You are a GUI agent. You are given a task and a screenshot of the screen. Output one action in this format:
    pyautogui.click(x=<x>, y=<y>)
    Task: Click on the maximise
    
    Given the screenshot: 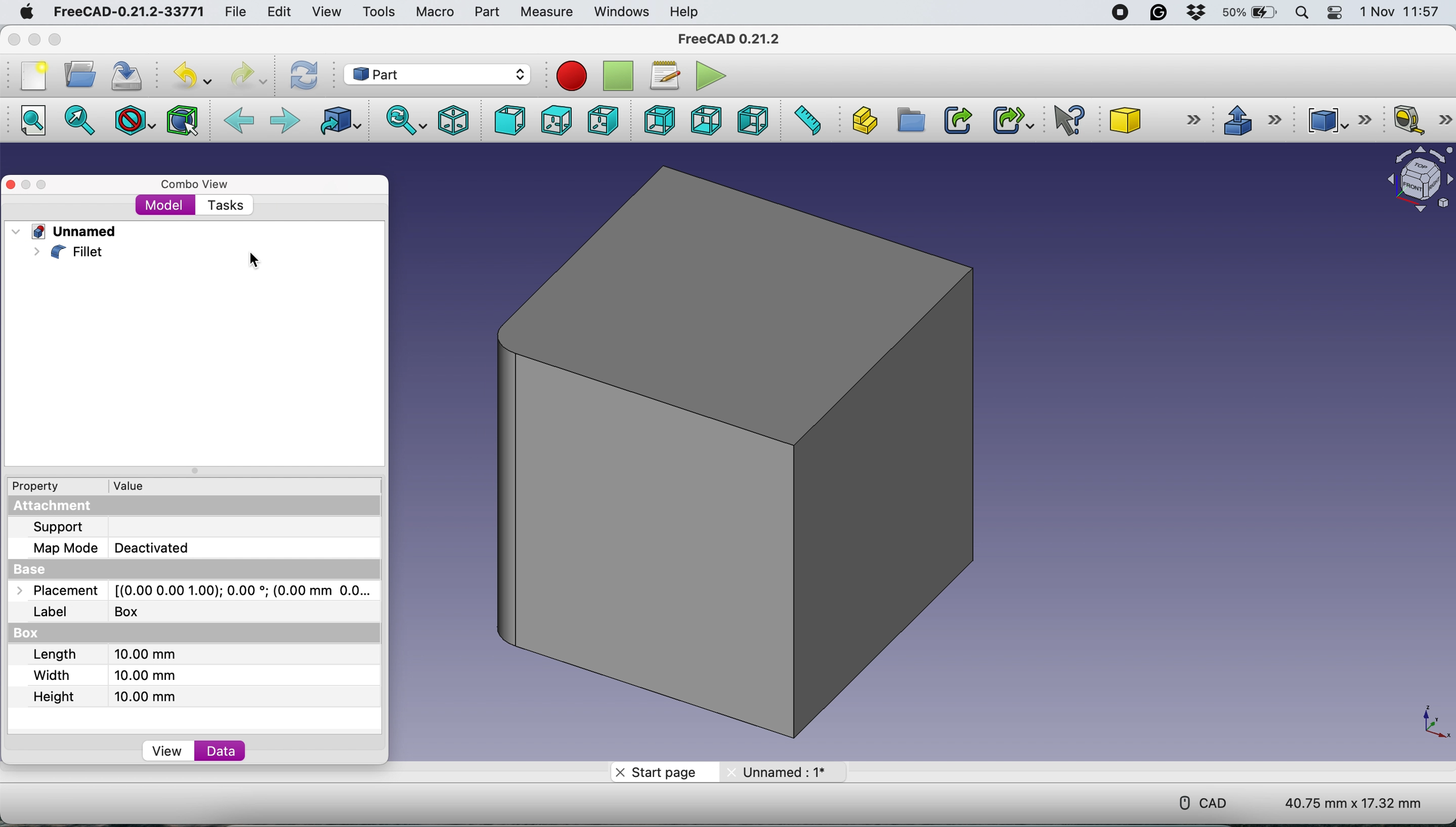 What is the action you would take?
    pyautogui.click(x=55, y=39)
    